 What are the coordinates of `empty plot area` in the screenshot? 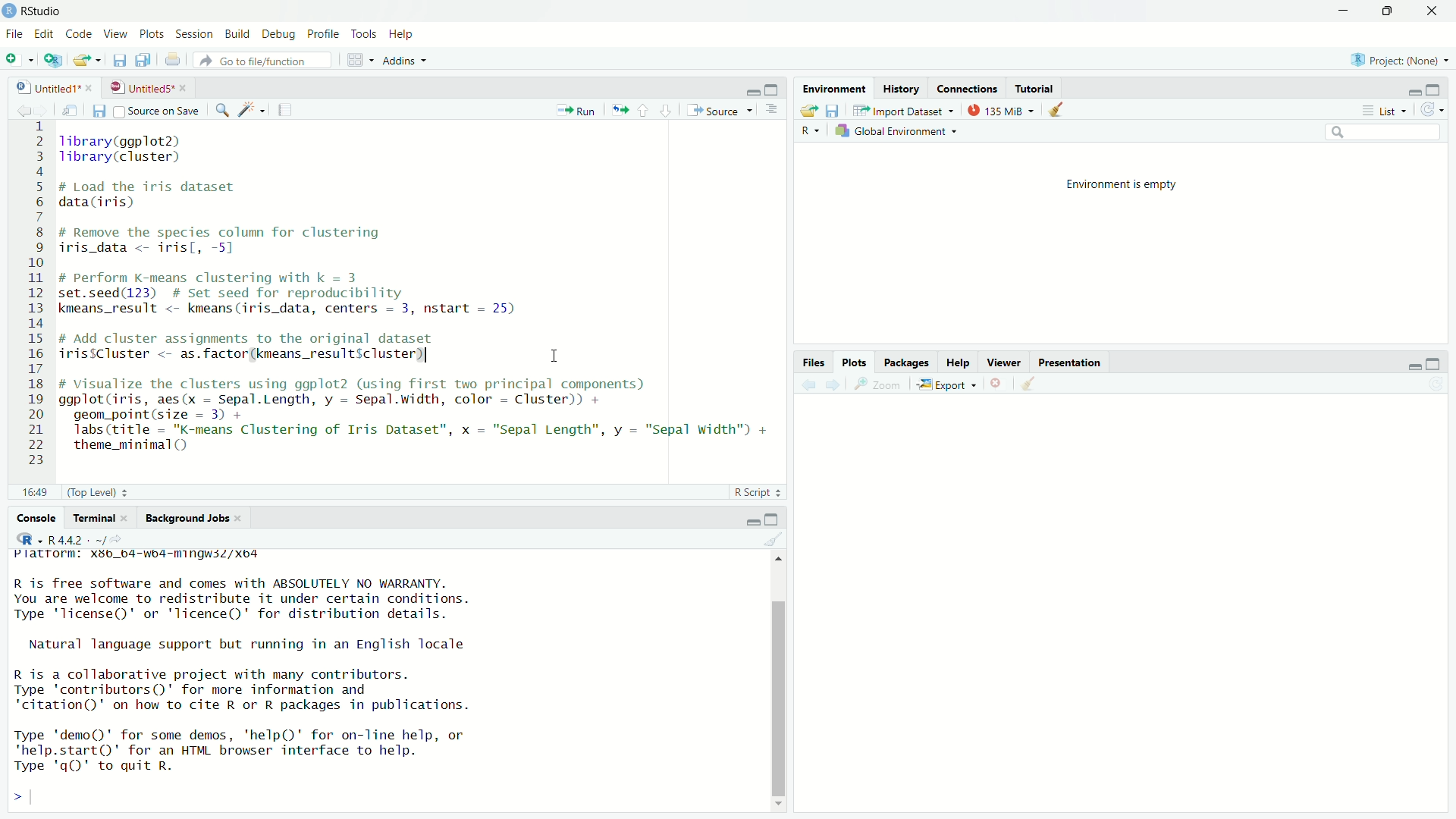 It's located at (1126, 608).